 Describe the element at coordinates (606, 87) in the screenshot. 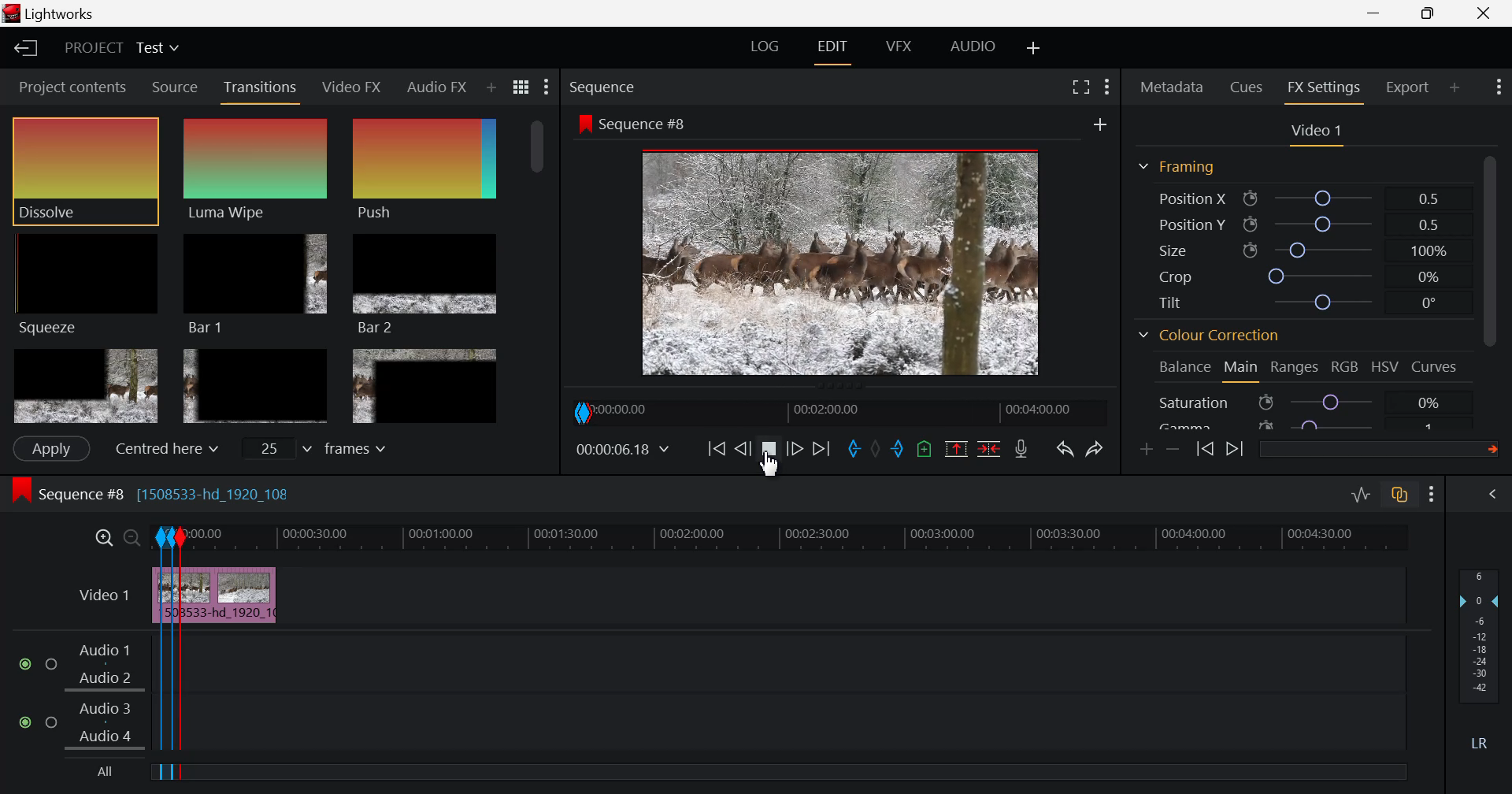

I see `Sequence ` at that location.